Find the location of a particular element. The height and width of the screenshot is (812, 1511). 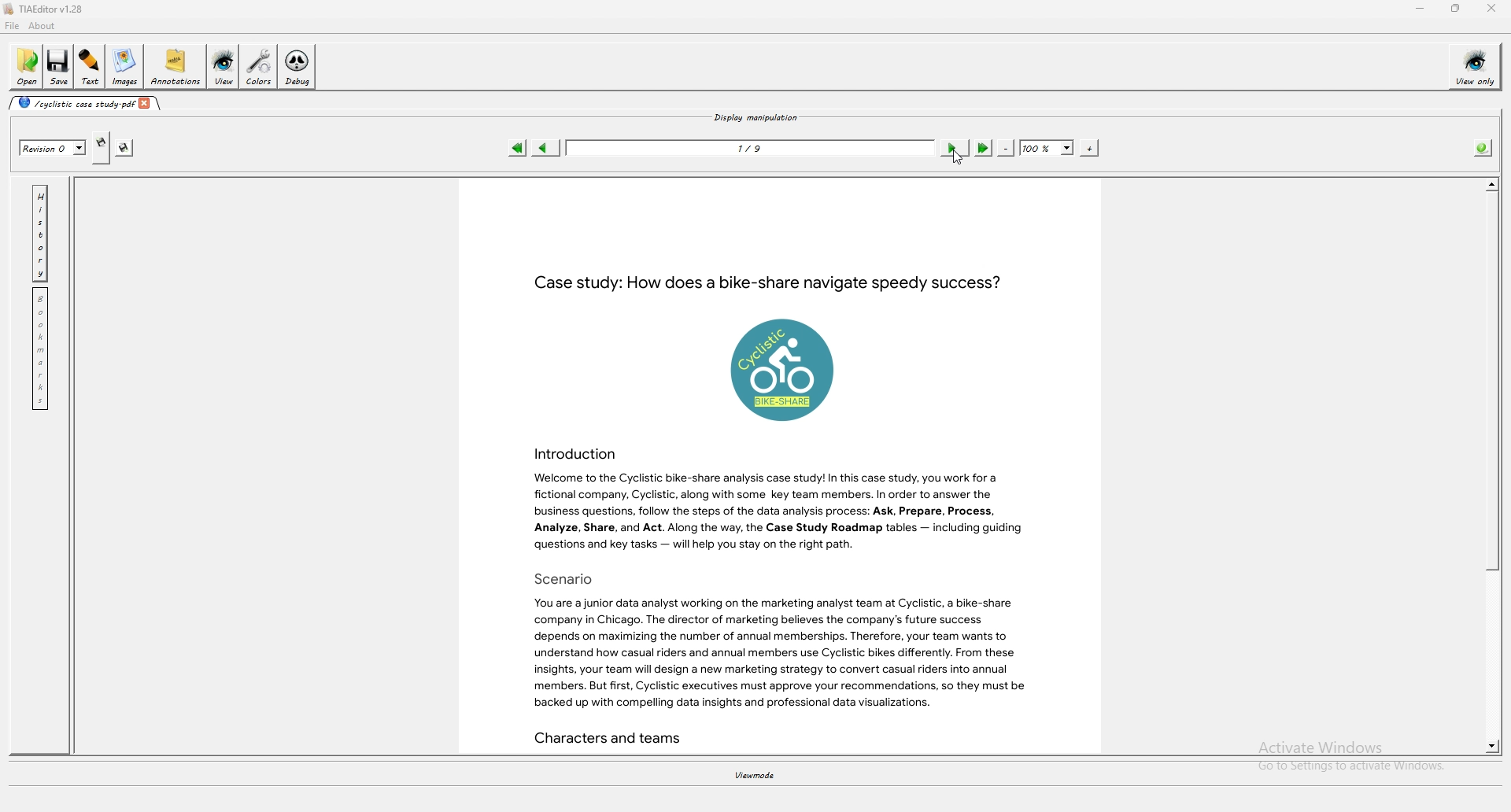

create new revision is located at coordinates (101, 147).